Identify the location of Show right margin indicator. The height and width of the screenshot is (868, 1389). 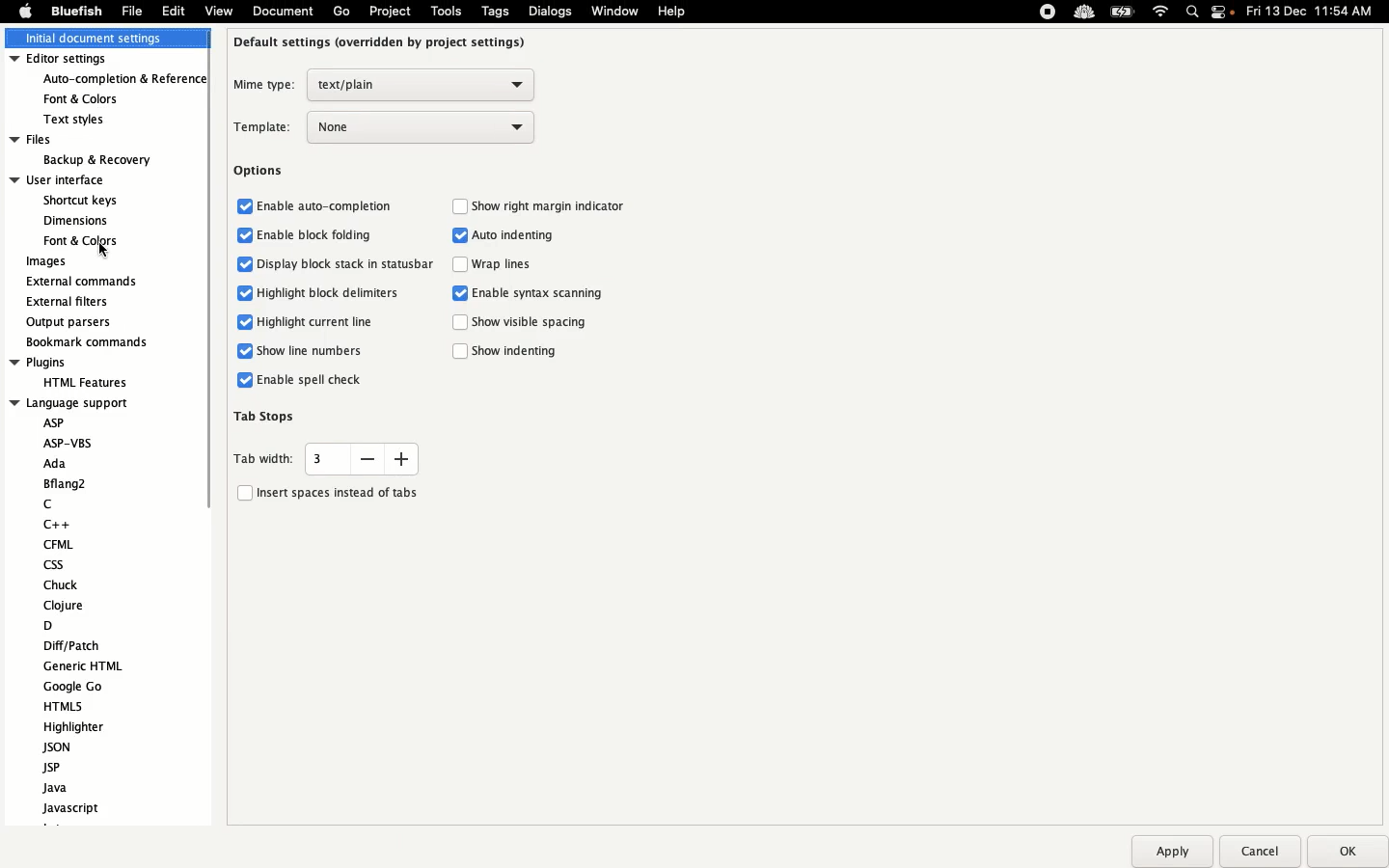
(542, 205).